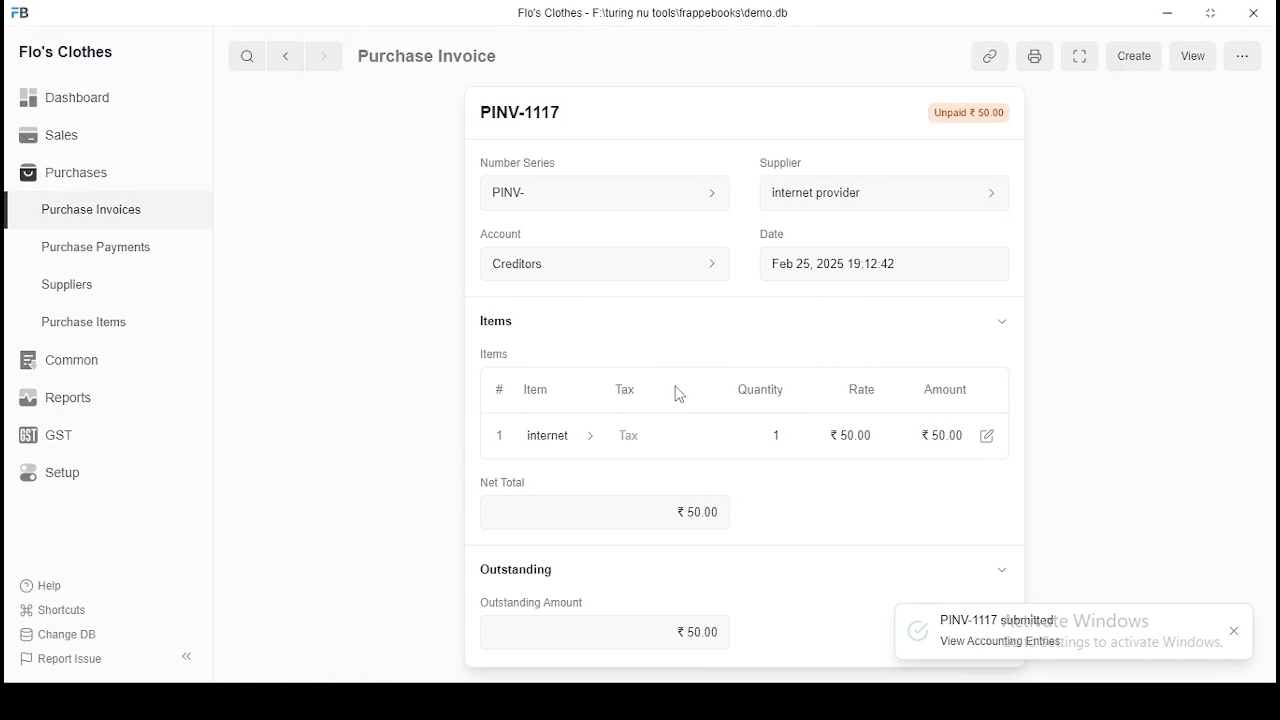 This screenshot has width=1280, height=720. Describe the element at coordinates (1134, 57) in the screenshot. I see `create` at that location.